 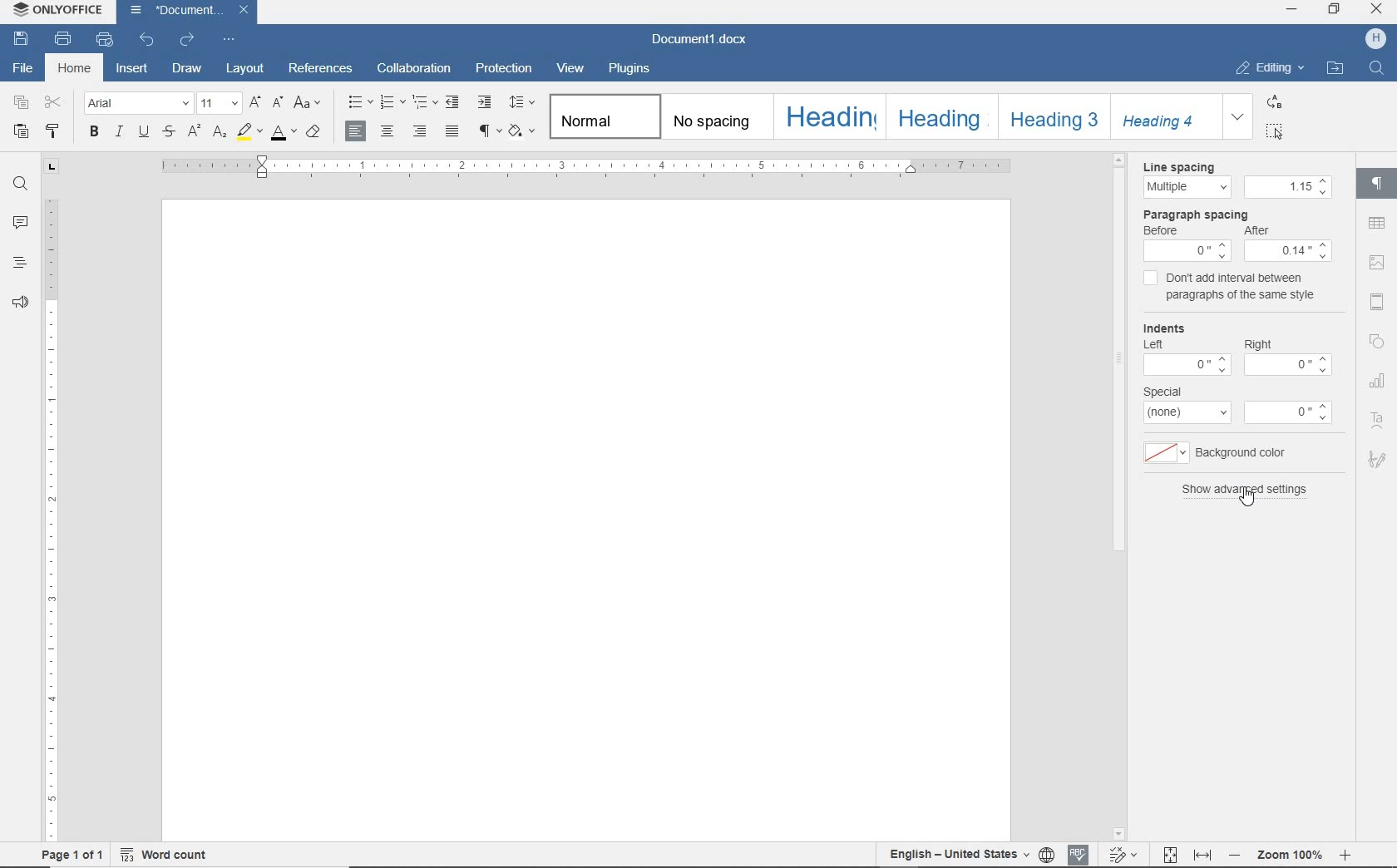 I want to click on strikethrough, so click(x=168, y=133).